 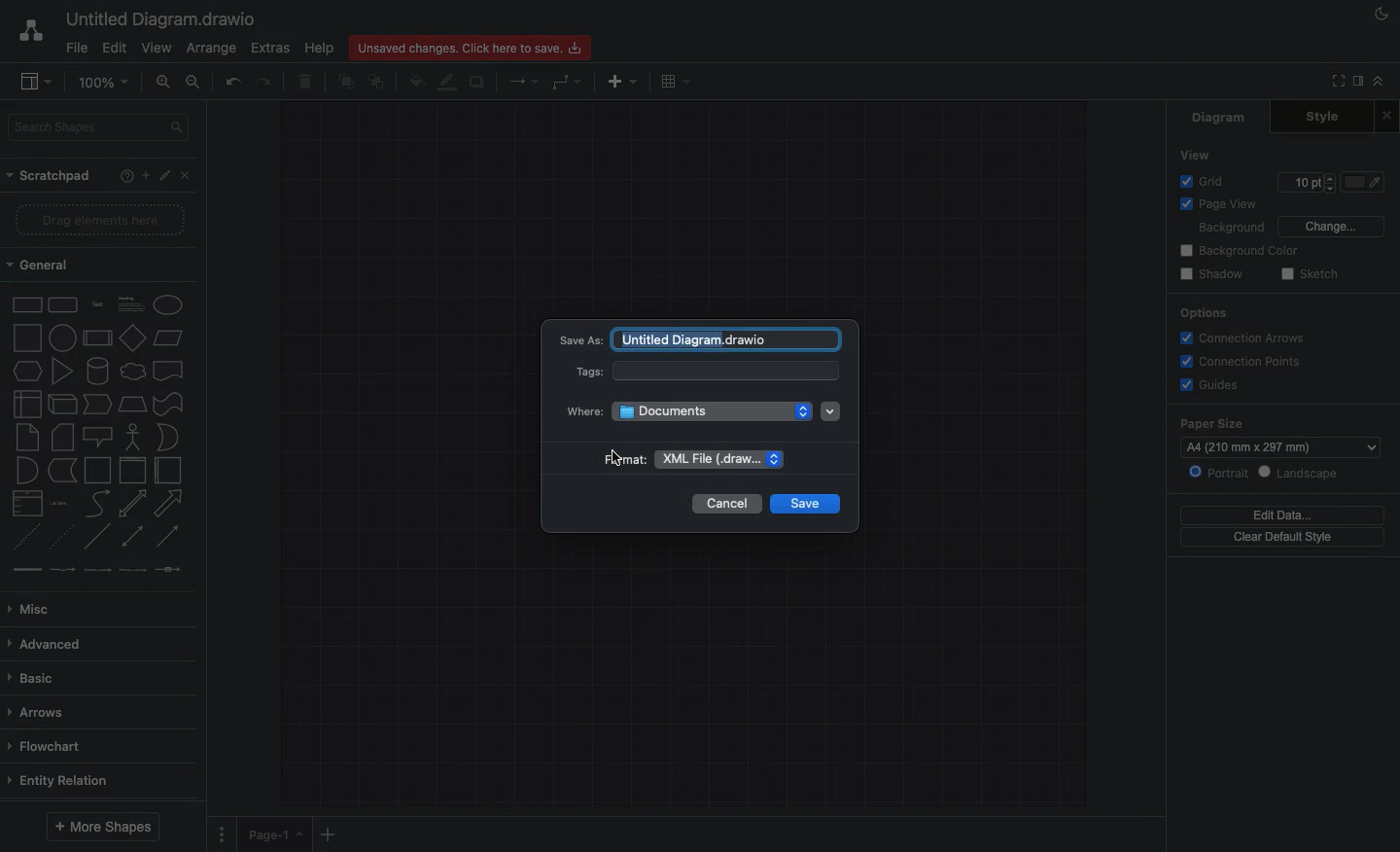 What do you see at coordinates (49, 177) in the screenshot?
I see `Scratchpad` at bounding box center [49, 177].